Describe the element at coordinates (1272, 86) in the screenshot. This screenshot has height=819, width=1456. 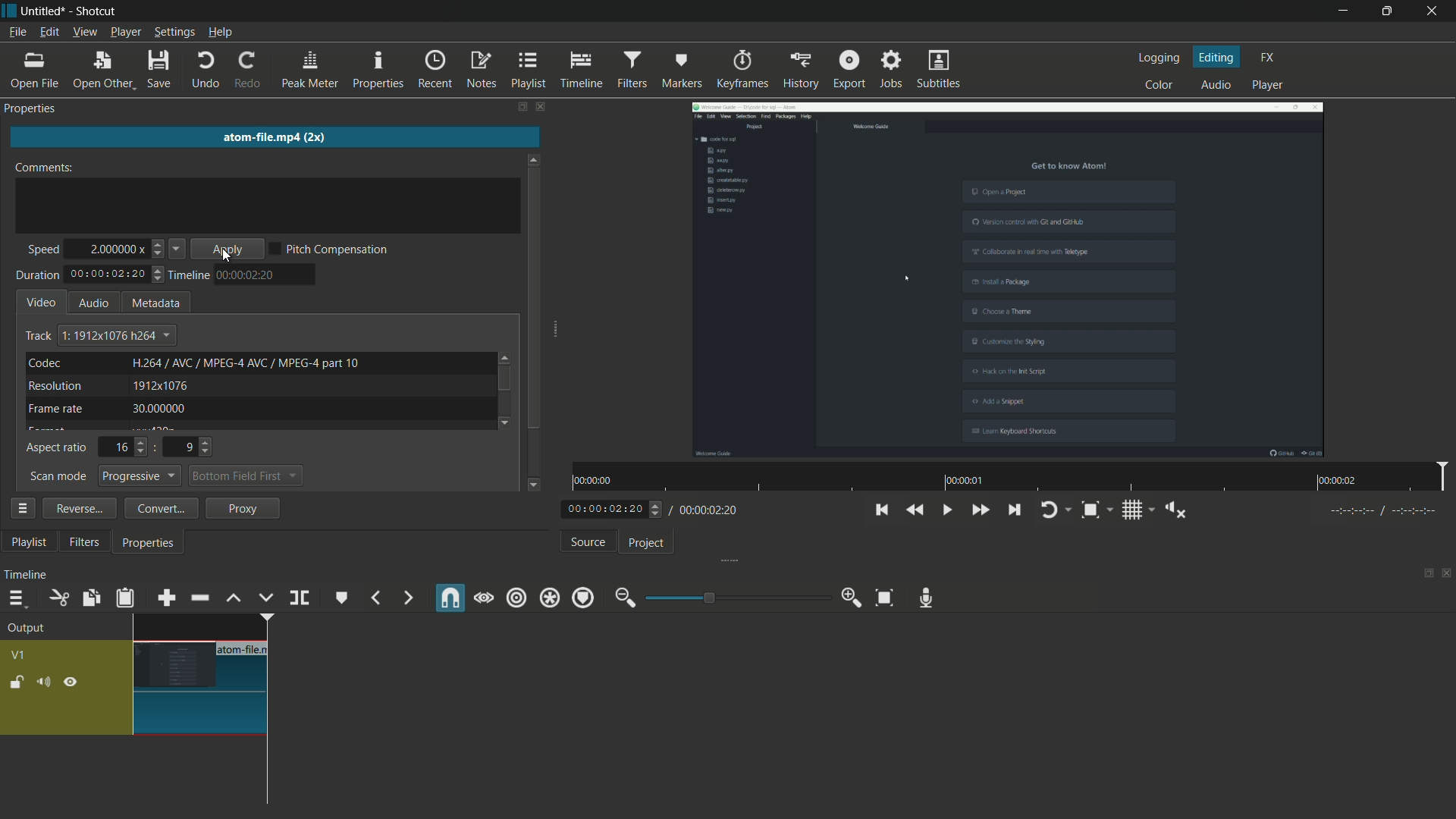
I see `player` at that location.